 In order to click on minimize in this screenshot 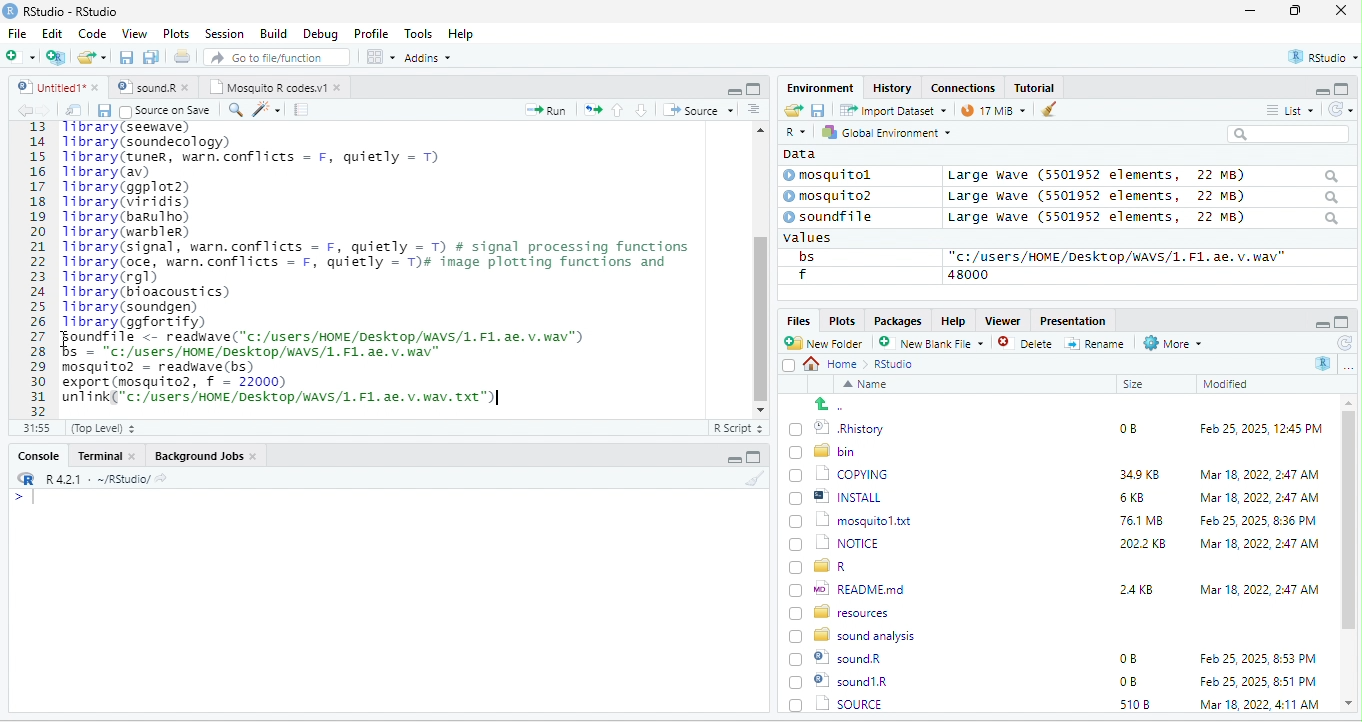, I will do `click(1250, 12)`.